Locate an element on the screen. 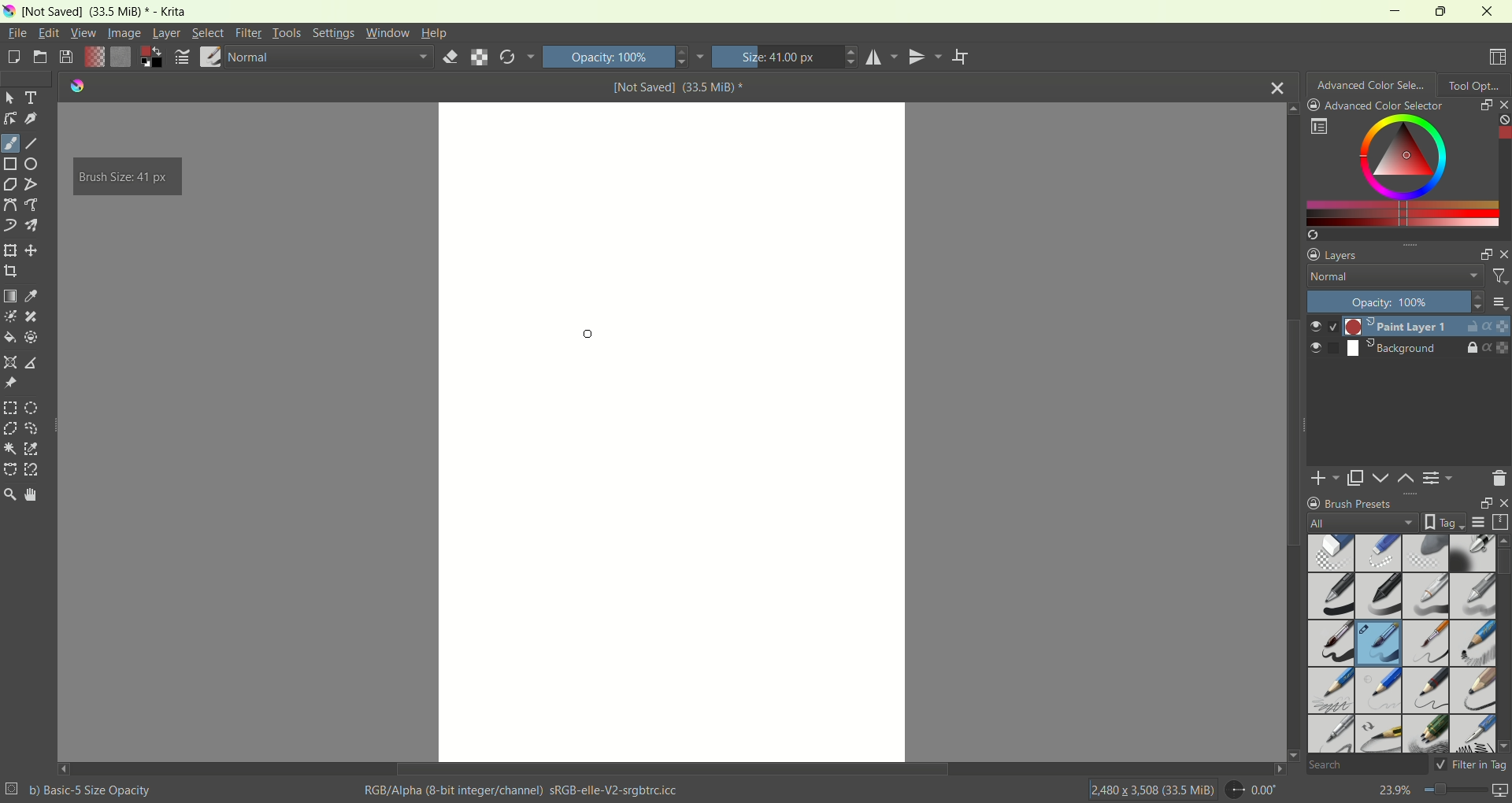 Image resolution: width=1512 pixels, height=803 pixels. basic 2 is located at coordinates (1380, 596).